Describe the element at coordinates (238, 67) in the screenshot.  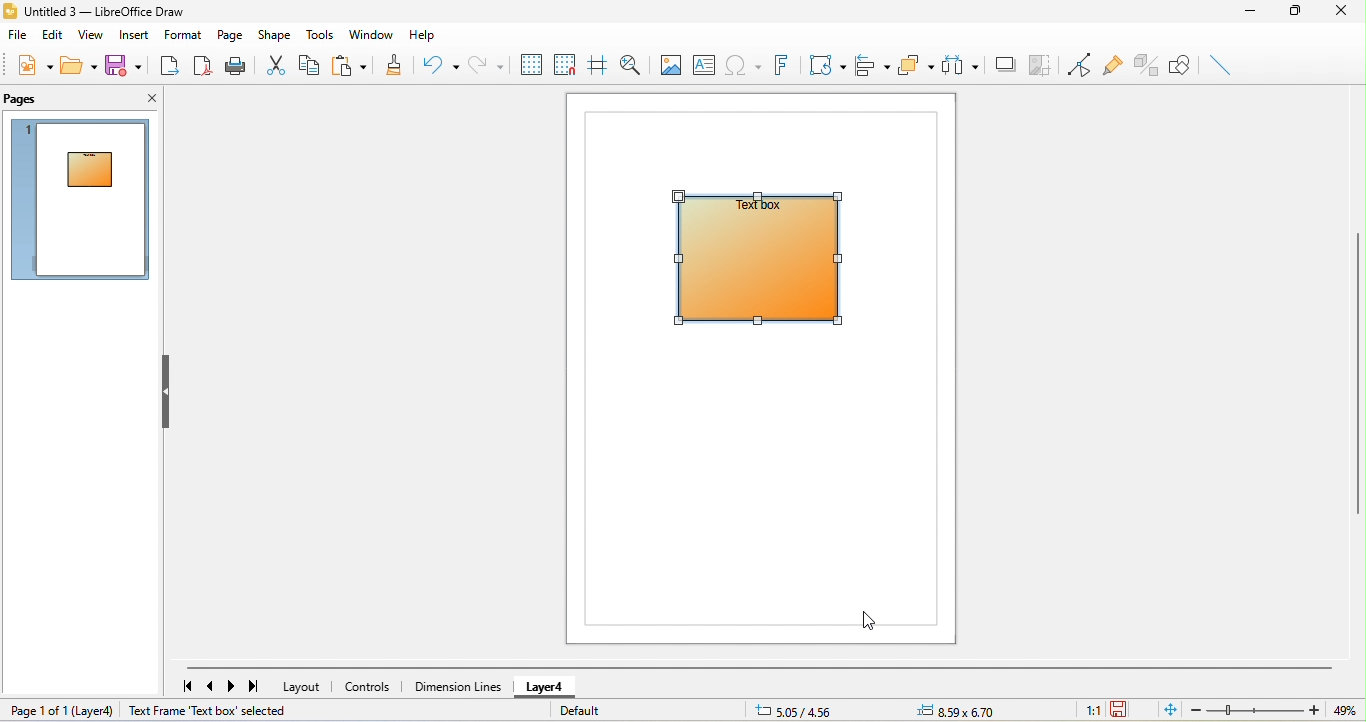
I see `print` at that location.